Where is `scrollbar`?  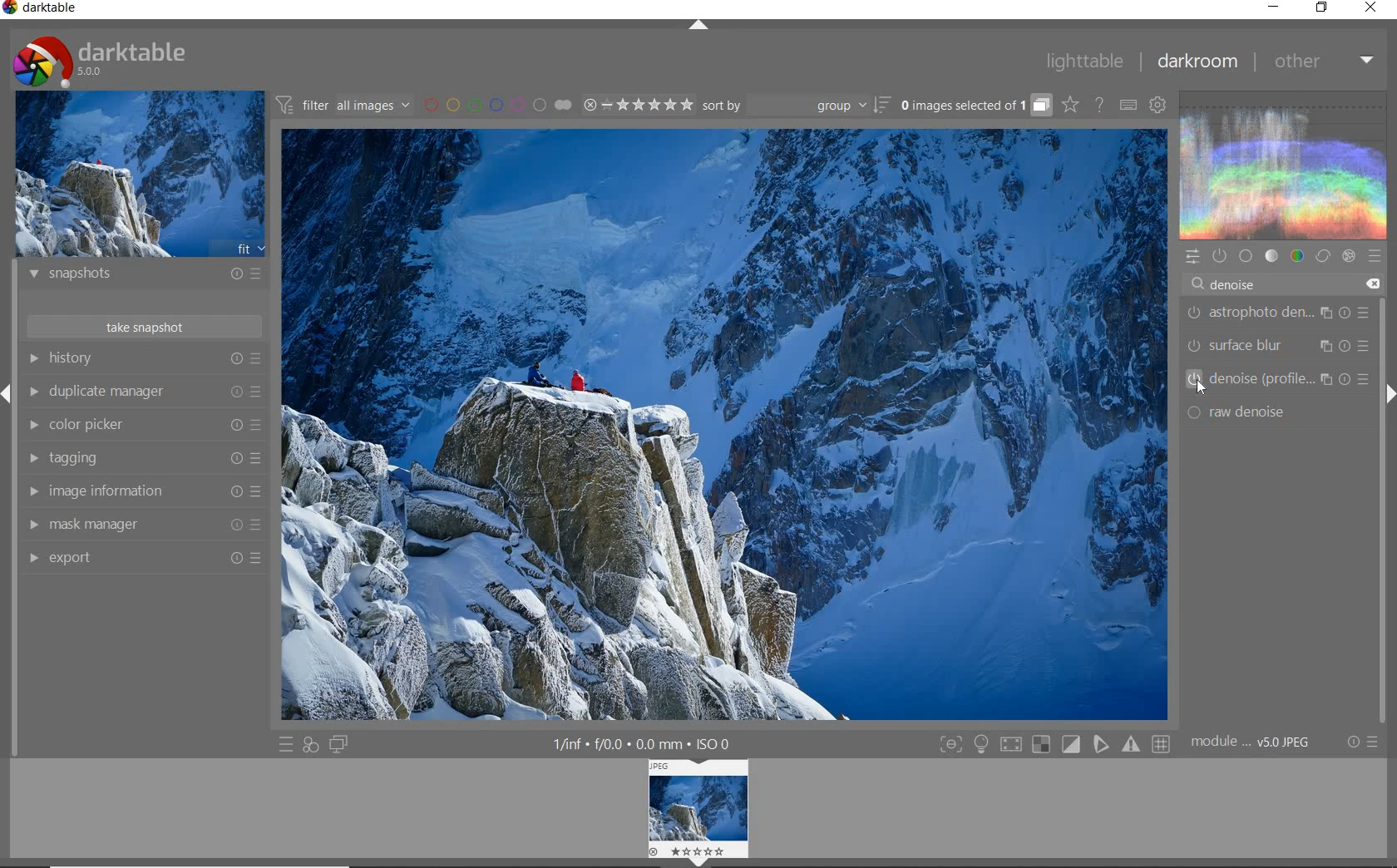 scrollbar is located at coordinates (1383, 448).